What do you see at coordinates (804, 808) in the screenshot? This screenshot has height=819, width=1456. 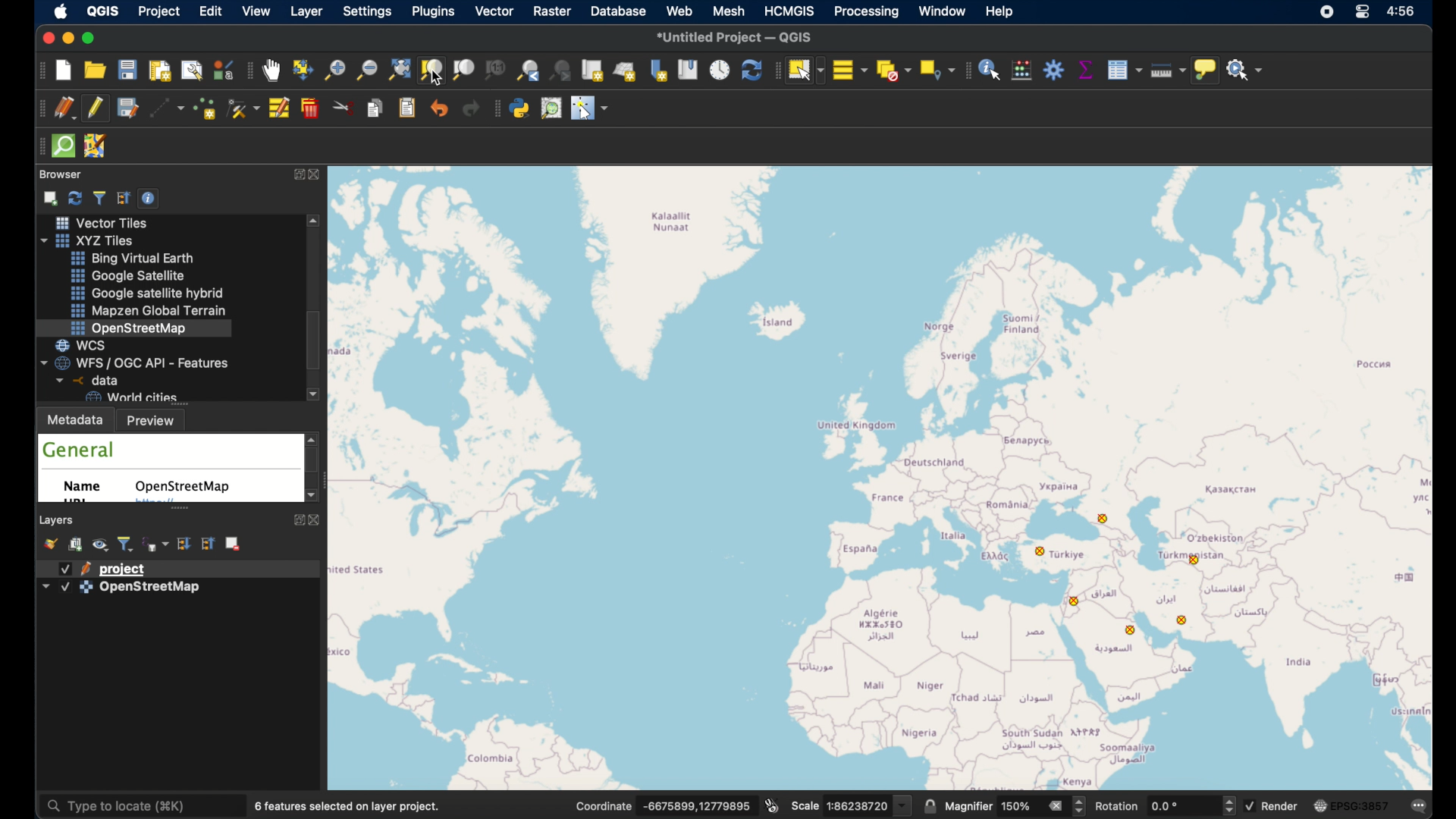 I see `scale` at bounding box center [804, 808].